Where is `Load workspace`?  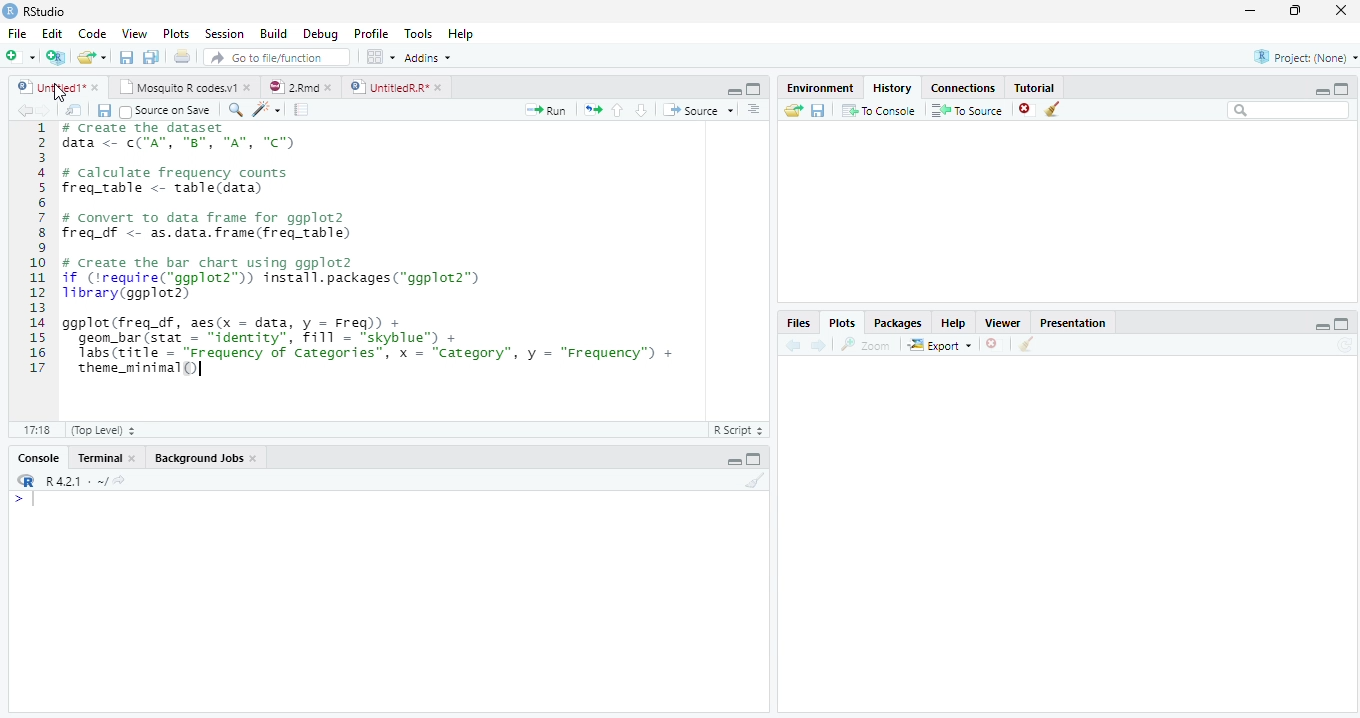 Load workspace is located at coordinates (790, 112).